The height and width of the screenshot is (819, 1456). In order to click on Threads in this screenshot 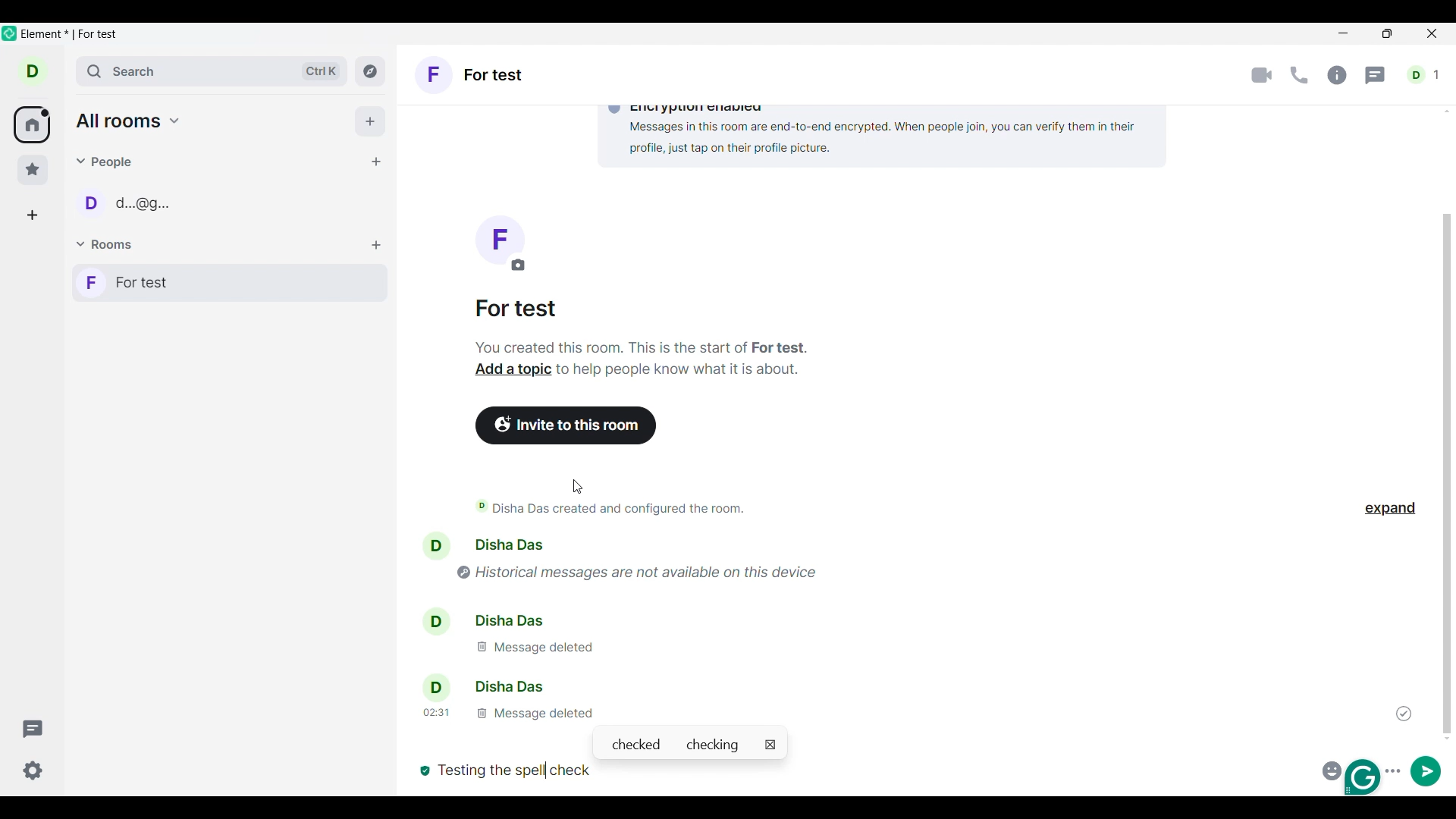, I will do `click(33, 729)`.